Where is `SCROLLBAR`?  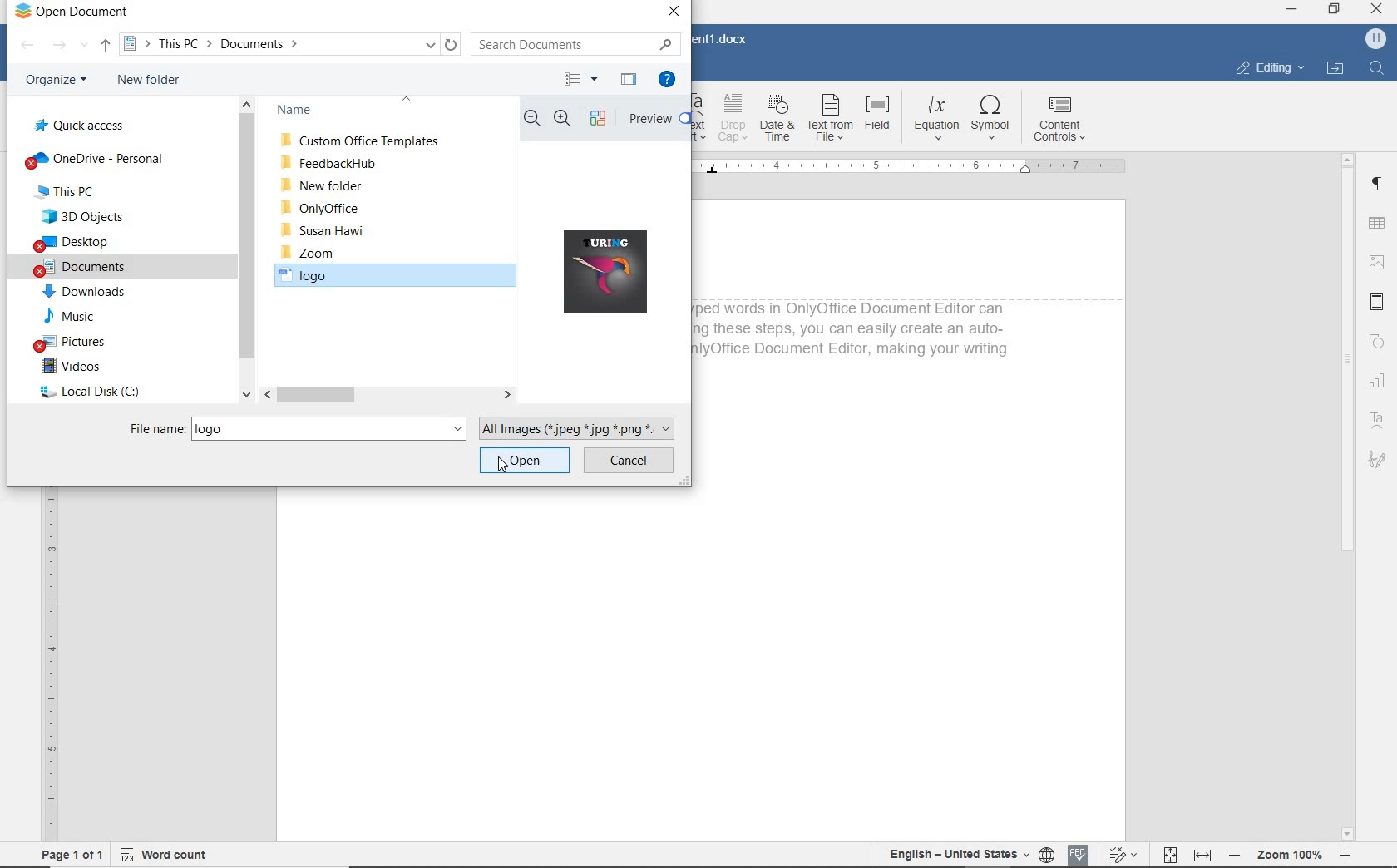 SCROLLBAR is located at coordinates (388, 395).